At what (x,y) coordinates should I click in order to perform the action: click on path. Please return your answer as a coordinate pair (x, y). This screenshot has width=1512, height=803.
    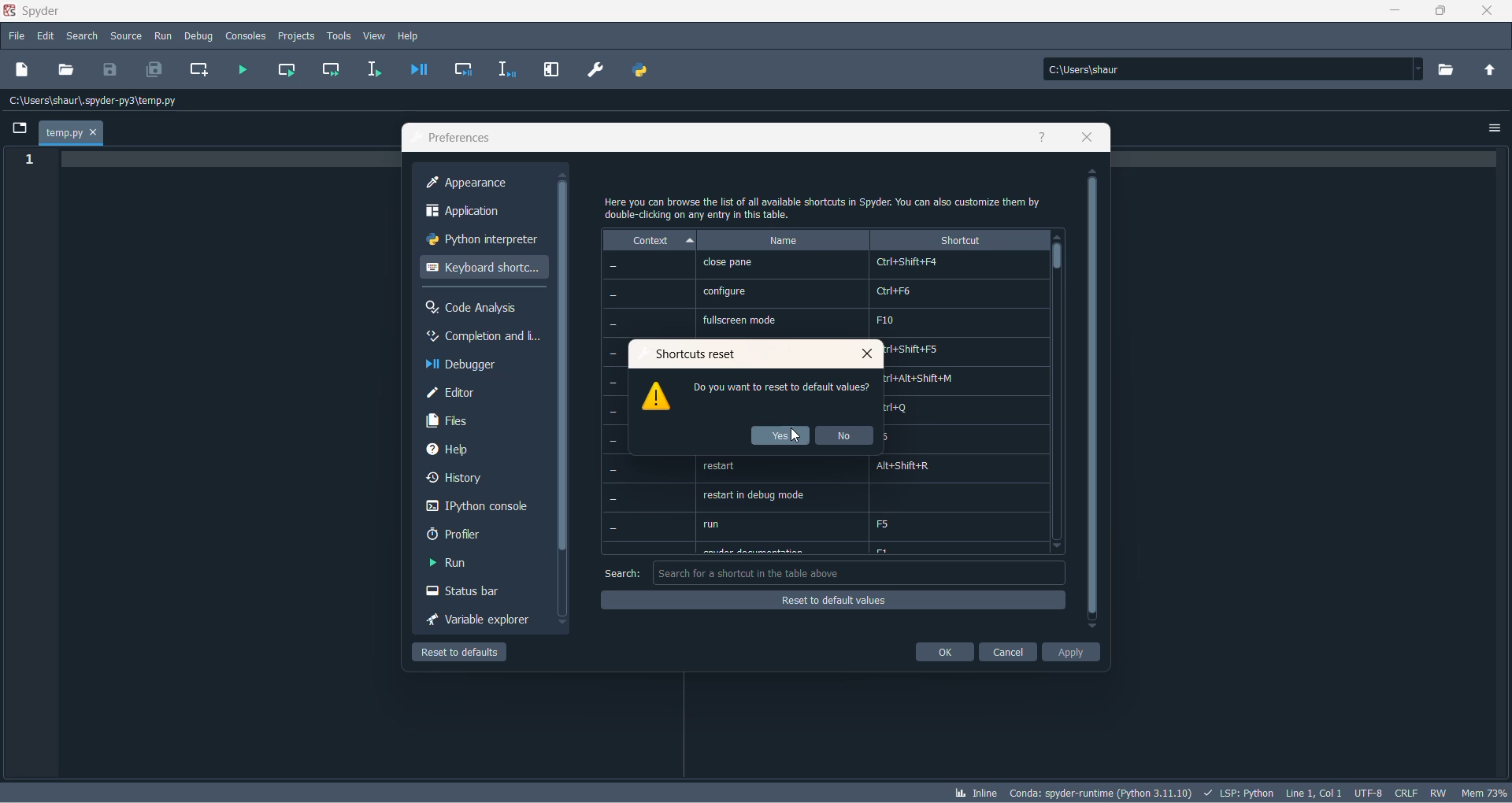
    Looking at the image, I should click on (96, 103).